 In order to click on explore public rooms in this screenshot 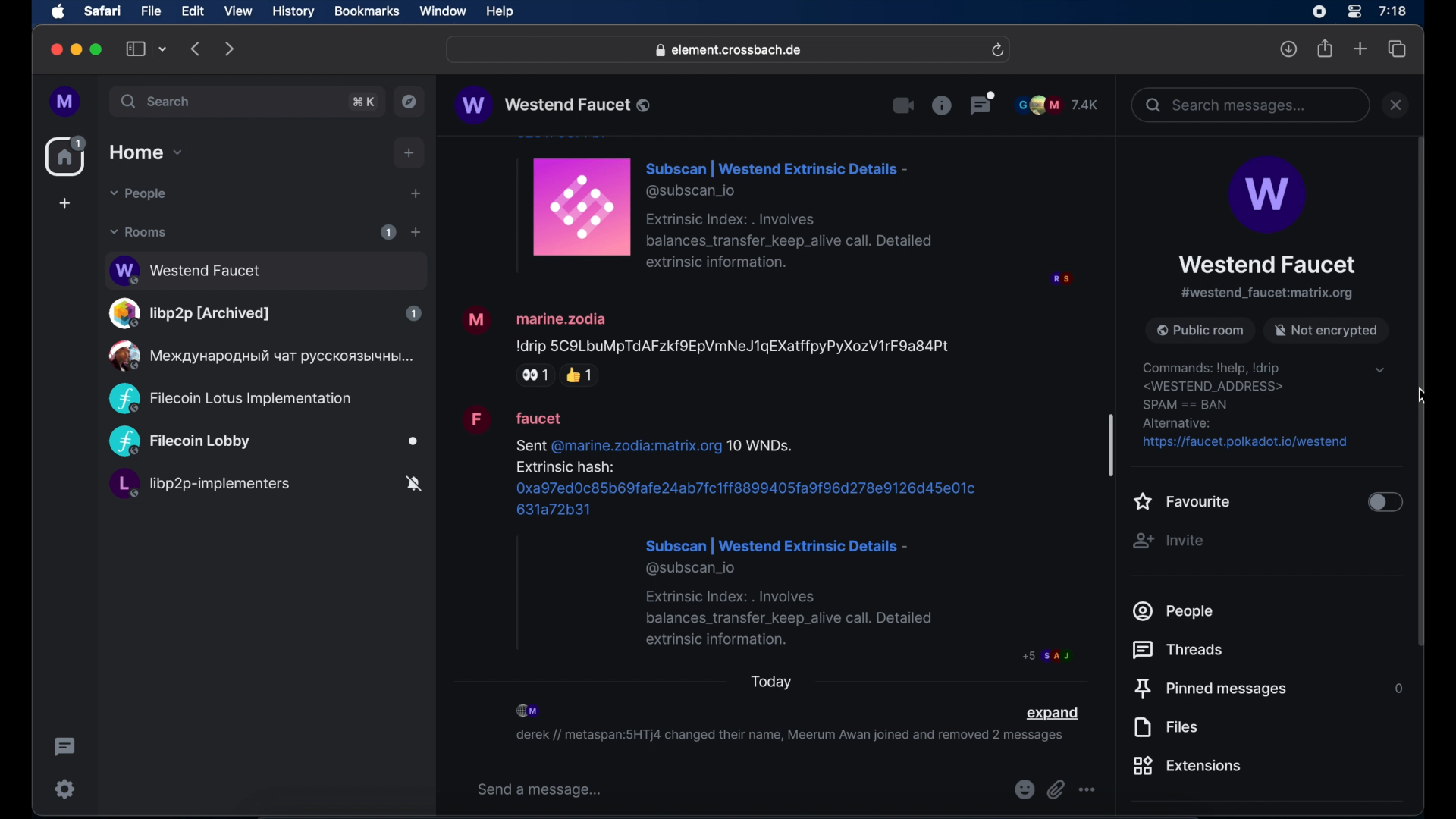, I will do `click(409, 102)`.